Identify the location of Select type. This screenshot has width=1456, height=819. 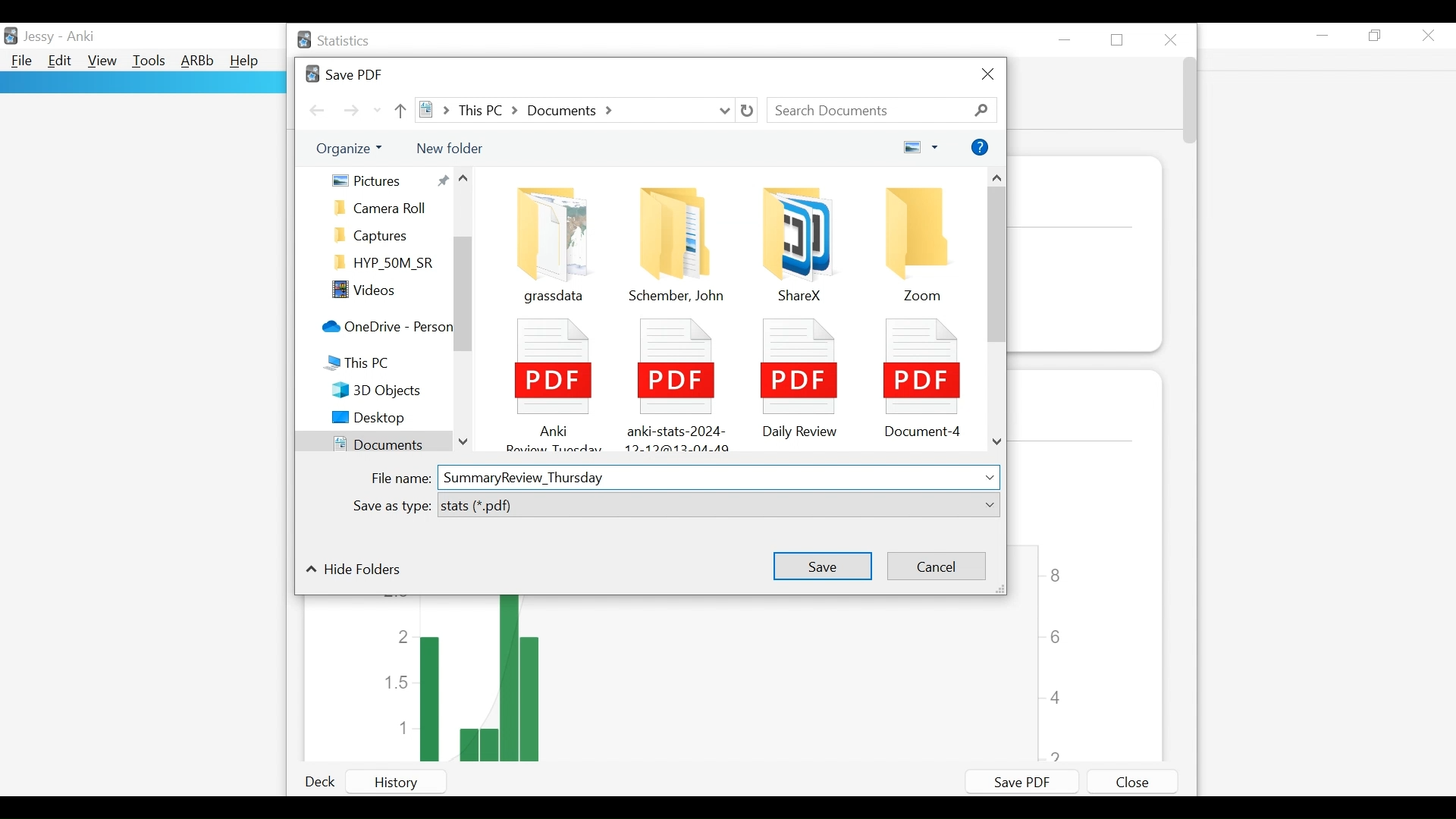
(718, 506).